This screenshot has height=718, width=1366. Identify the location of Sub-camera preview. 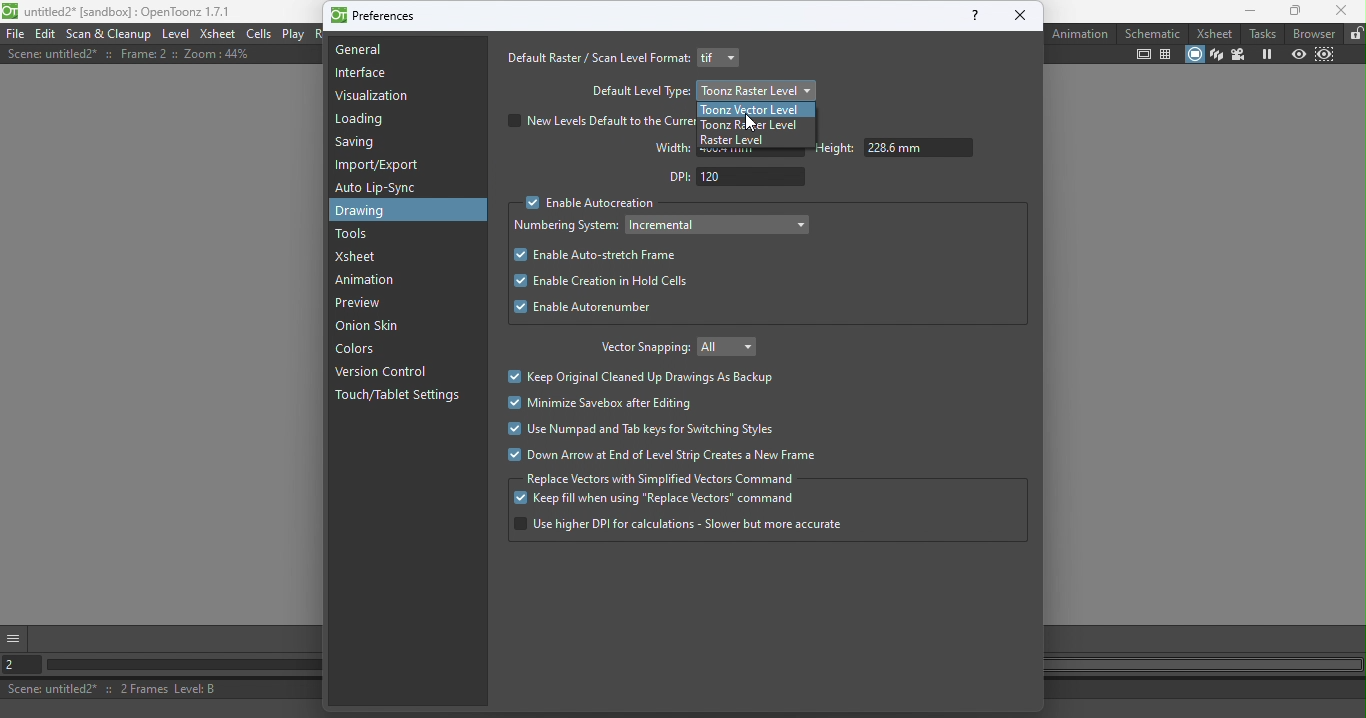
(1325, 57).